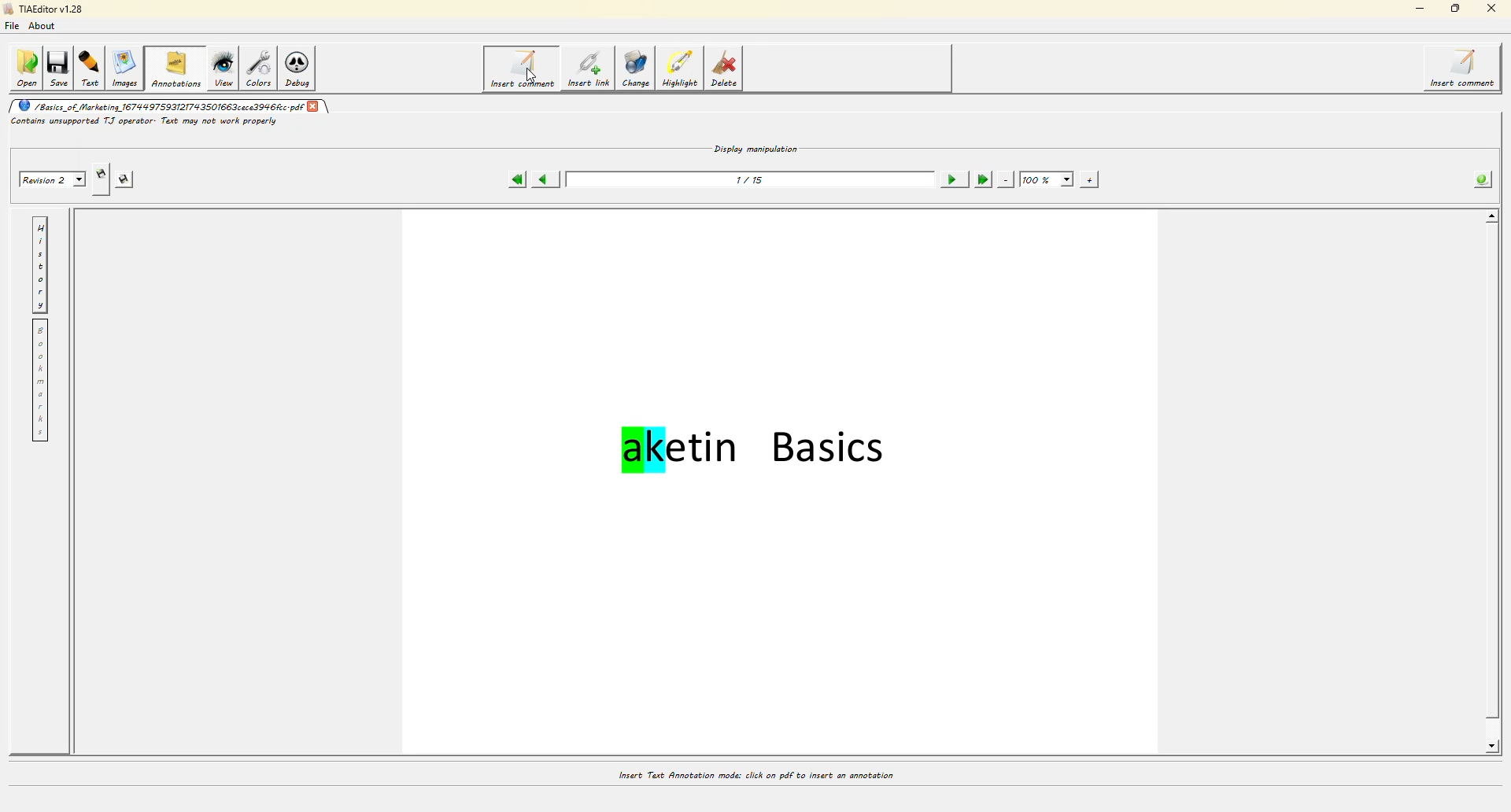  Describe the element at coordinates (46, 25) in the screenshot. I see `about` at that location.